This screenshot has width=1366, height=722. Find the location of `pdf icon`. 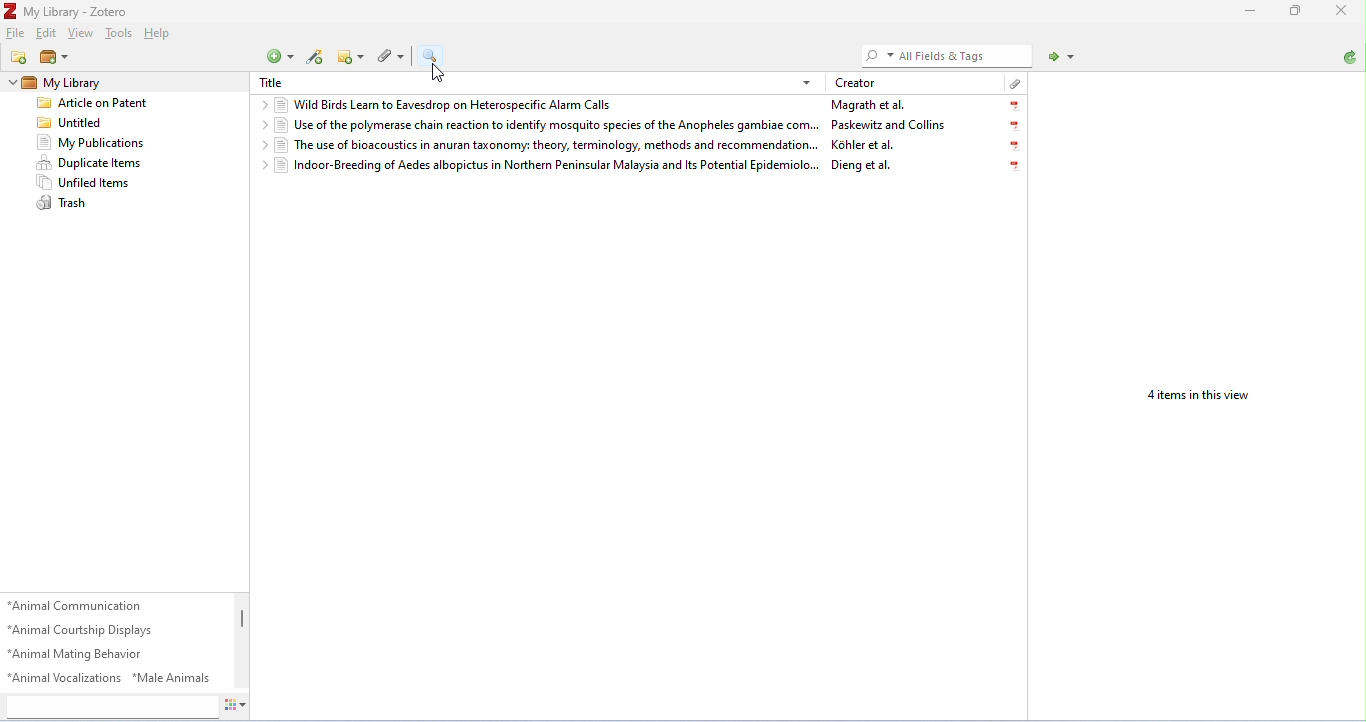

pdf icon is located at coordinates (1015, 106).